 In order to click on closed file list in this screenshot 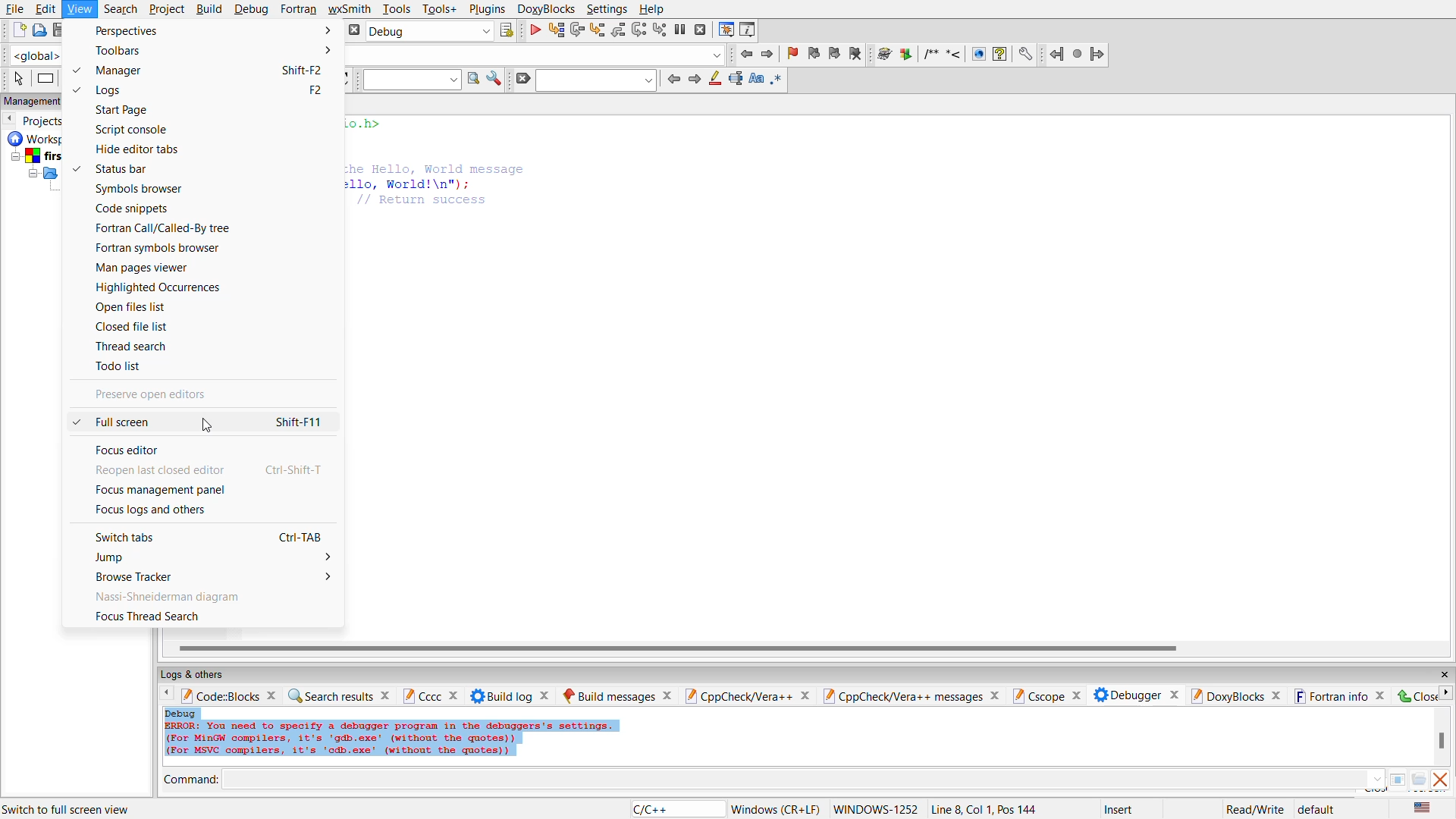, I will do `click(142, 325)`.